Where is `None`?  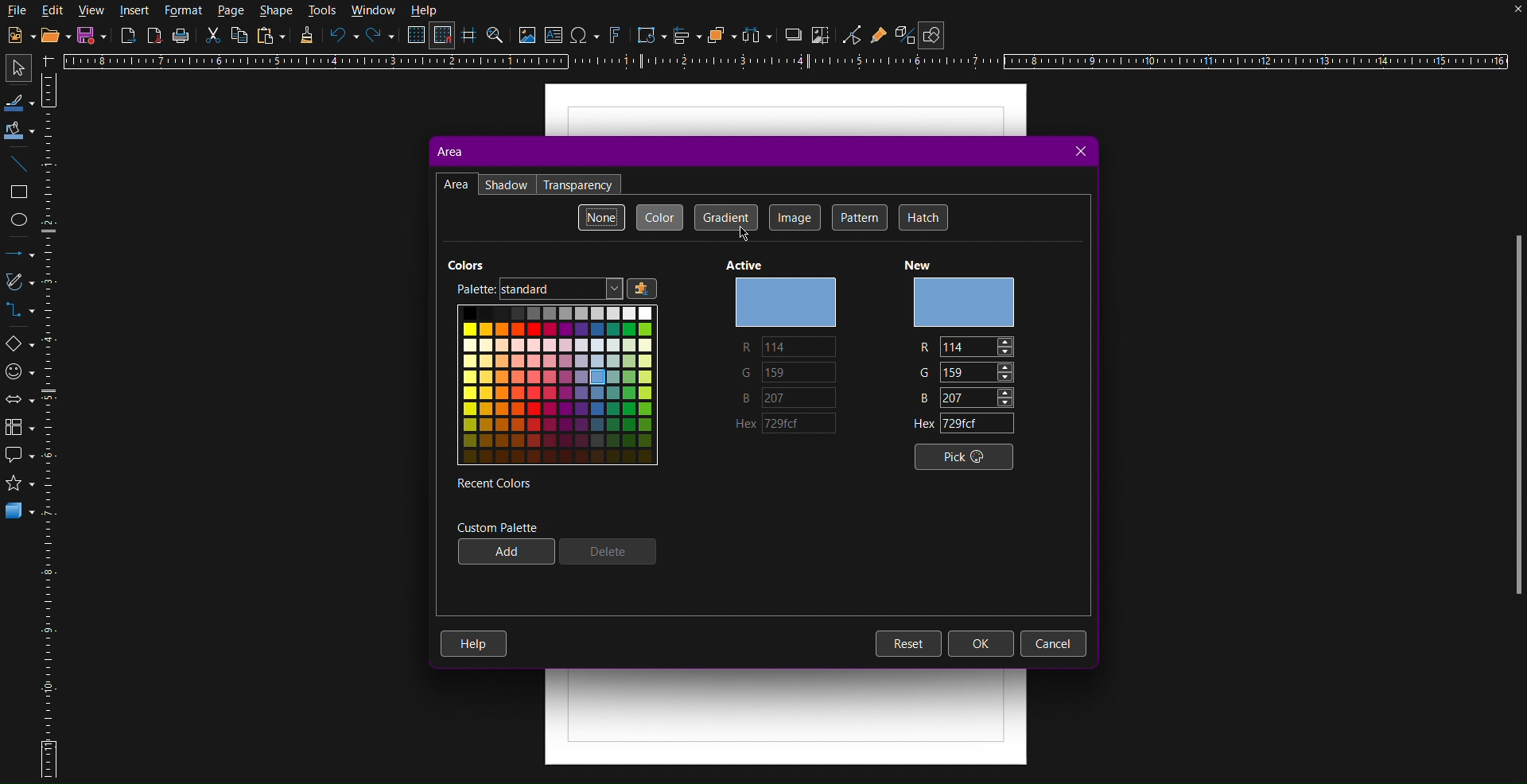 None is located at coordinates (601, 217).